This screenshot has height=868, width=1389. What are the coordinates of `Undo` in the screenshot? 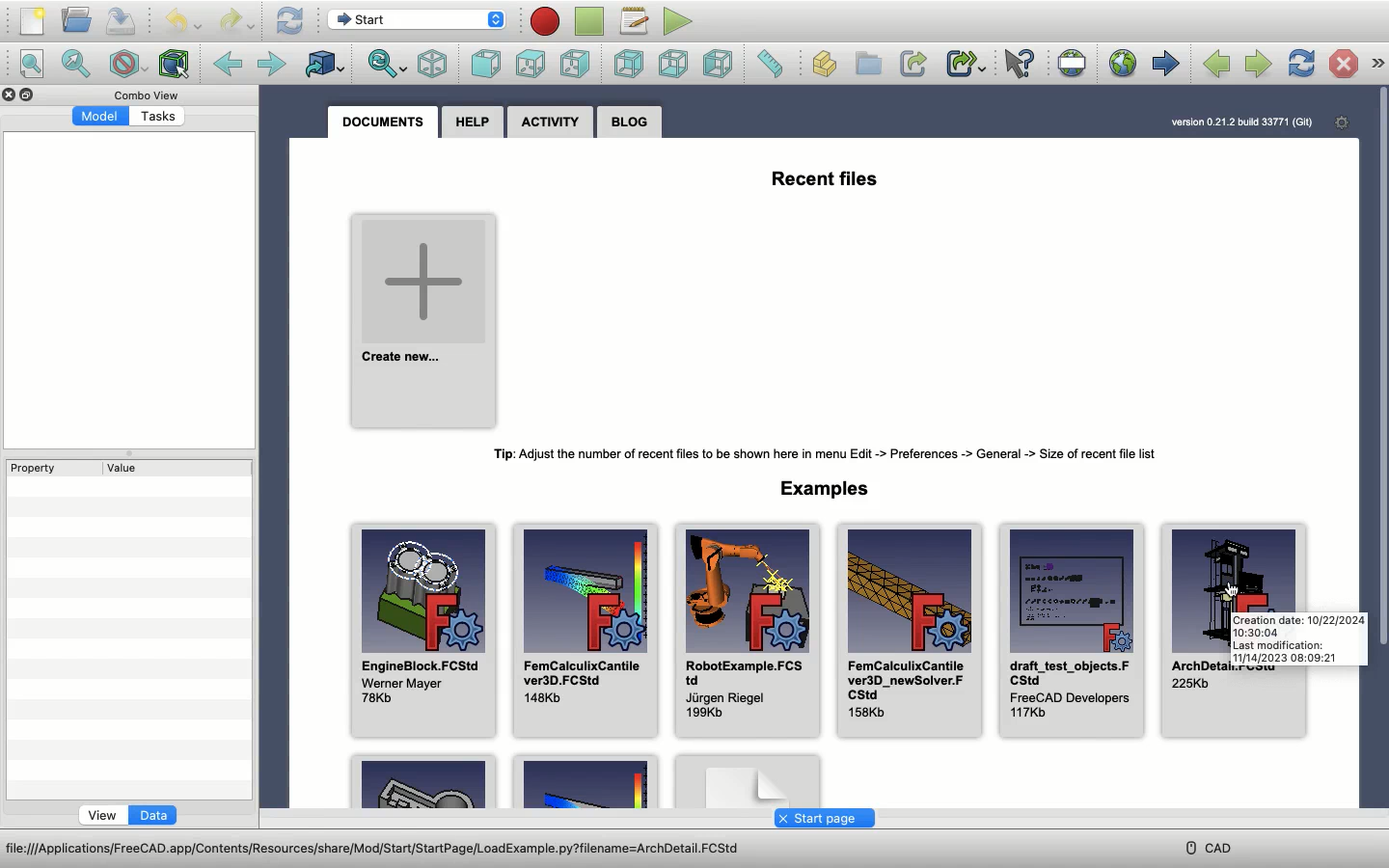 It's located at (183, 21).